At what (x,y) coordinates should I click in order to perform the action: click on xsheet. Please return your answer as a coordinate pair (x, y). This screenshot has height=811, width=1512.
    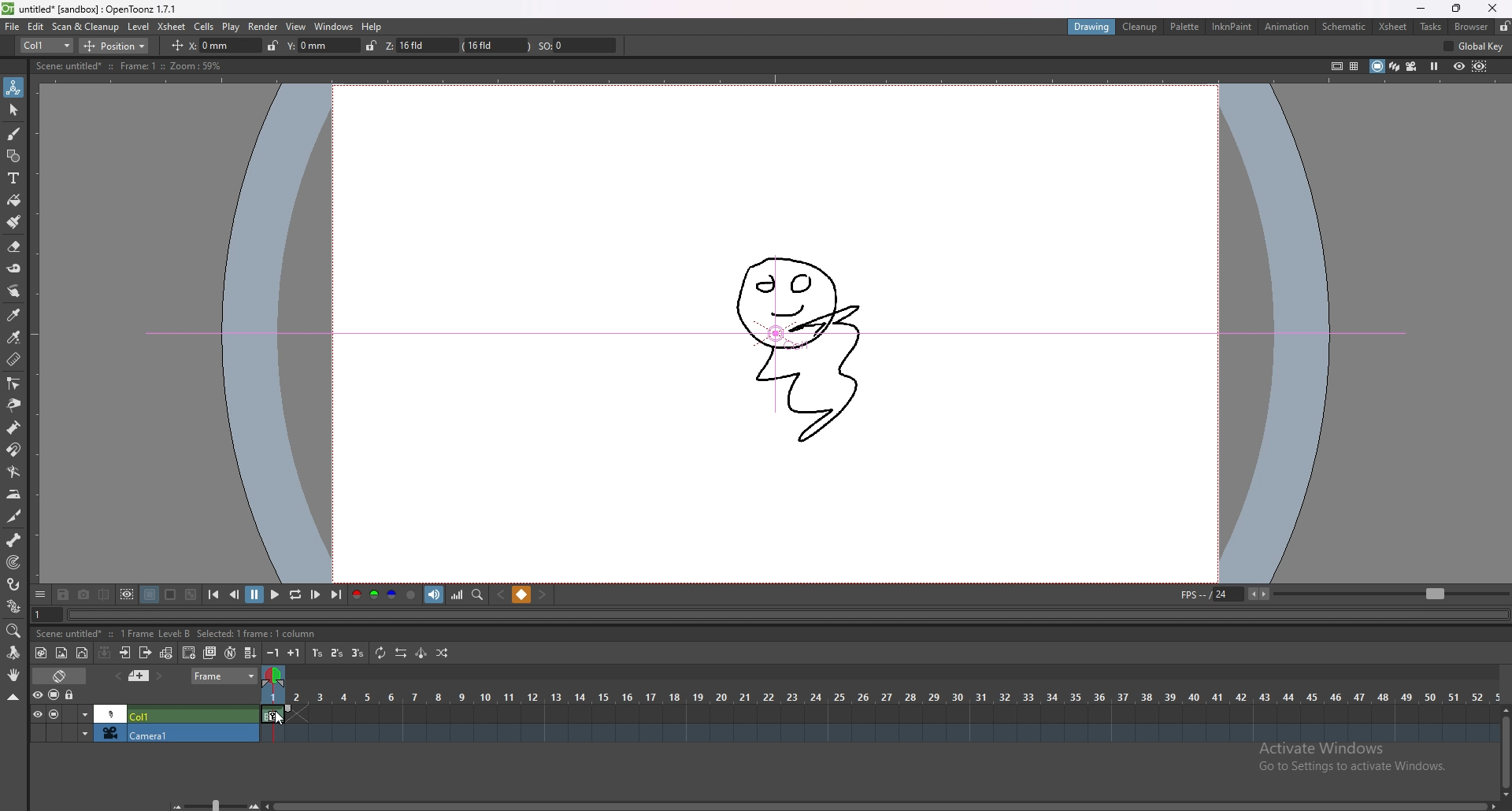
    Looking at the image, I should click on (1394, 27).